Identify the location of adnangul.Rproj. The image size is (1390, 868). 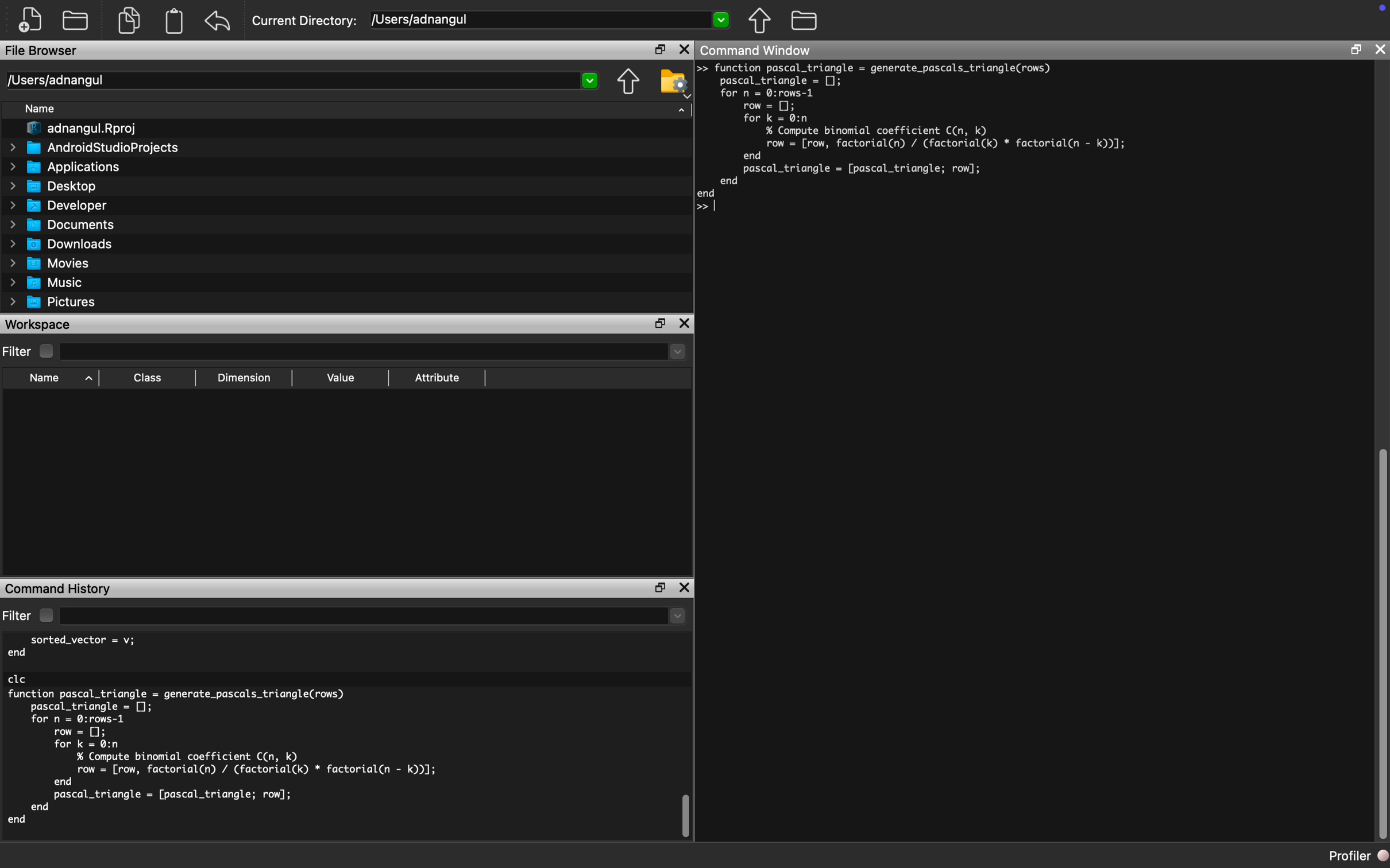
(82, 129).